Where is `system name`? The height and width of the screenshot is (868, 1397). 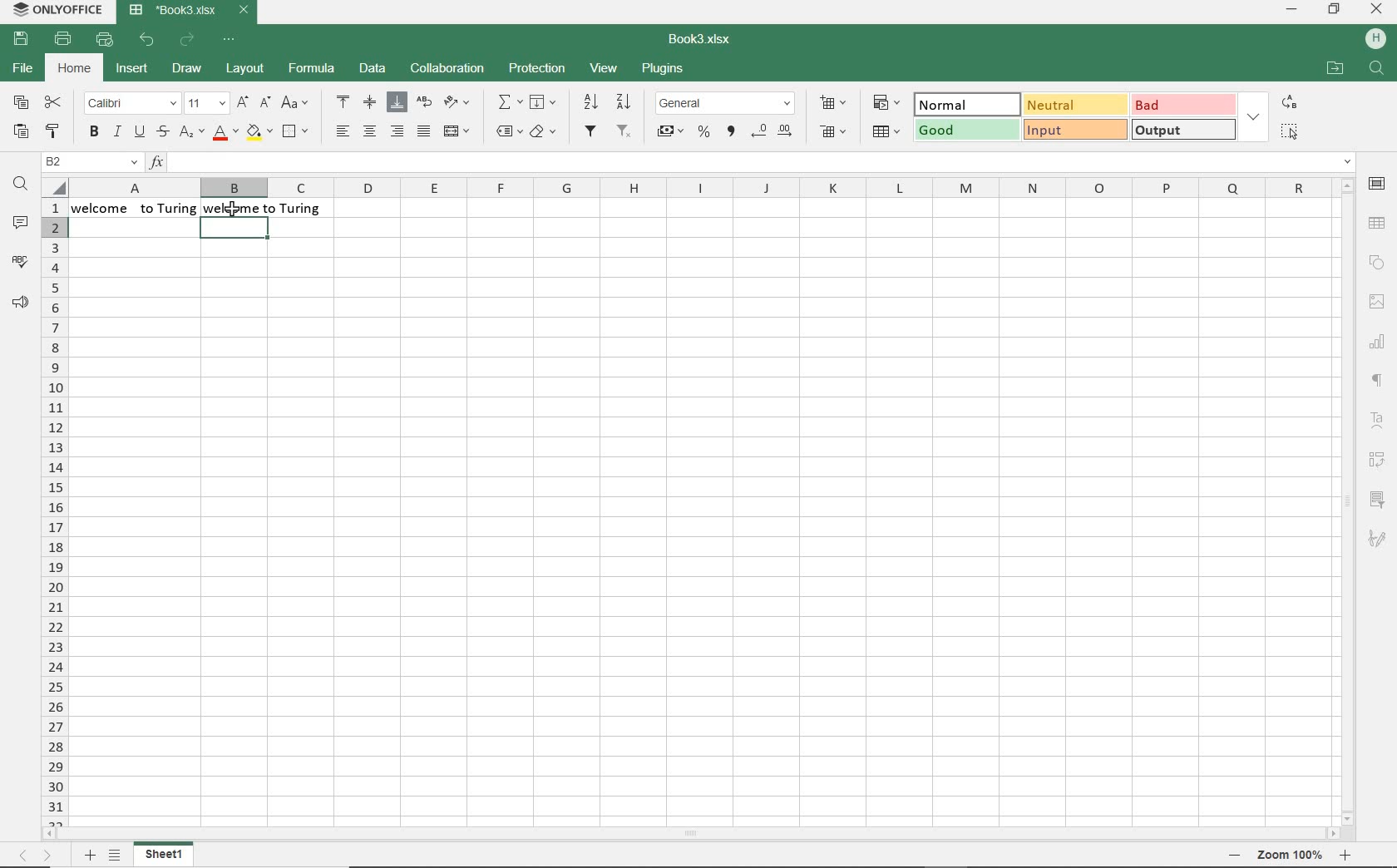
system name is located at coordinates (56, 11).